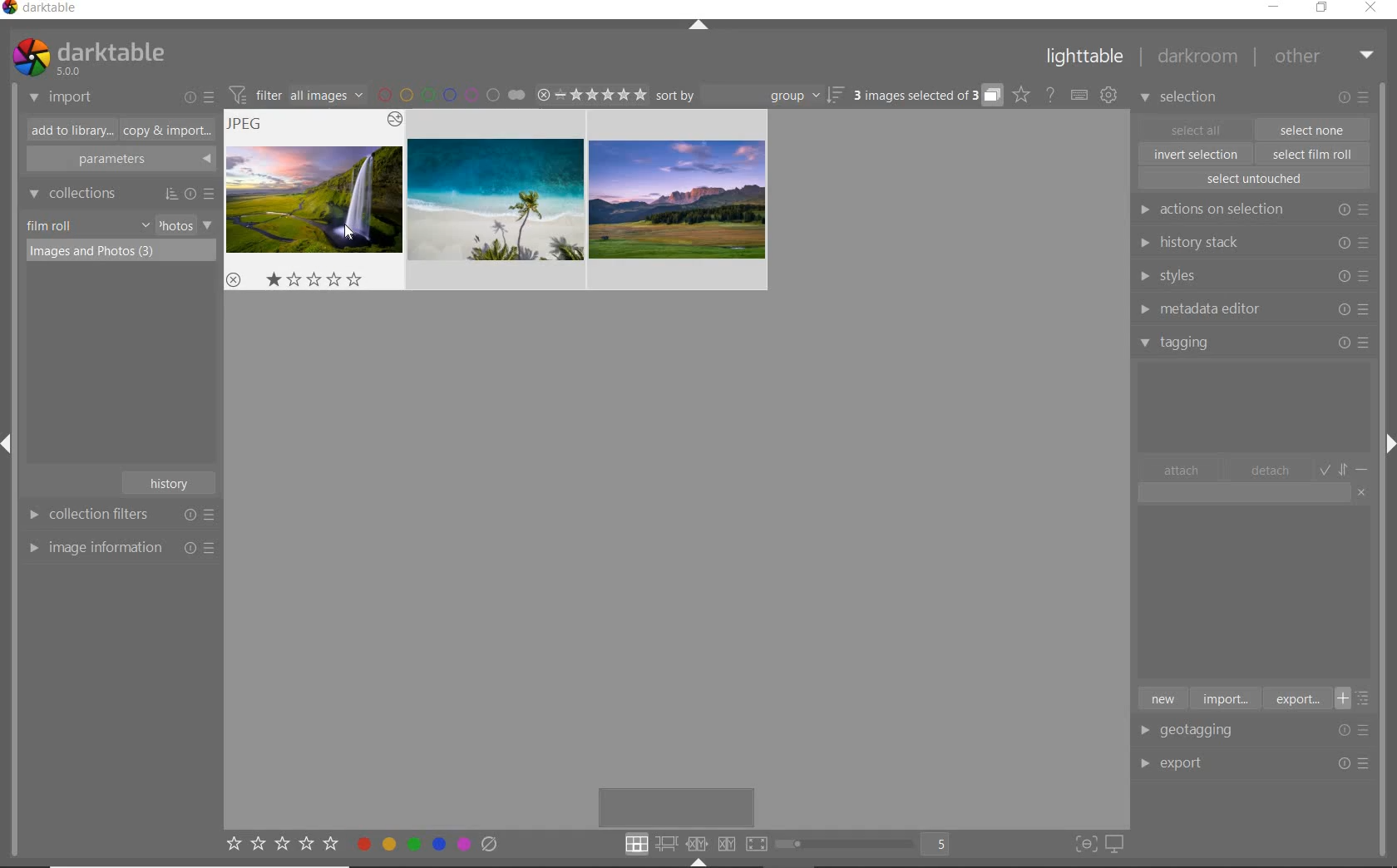 The height and width of the screenshot is (868, 1397). What do you see at coordinates (199, 96) in the screenshot?
I see `import or presets & preferences` at bounding box center [199, 96].